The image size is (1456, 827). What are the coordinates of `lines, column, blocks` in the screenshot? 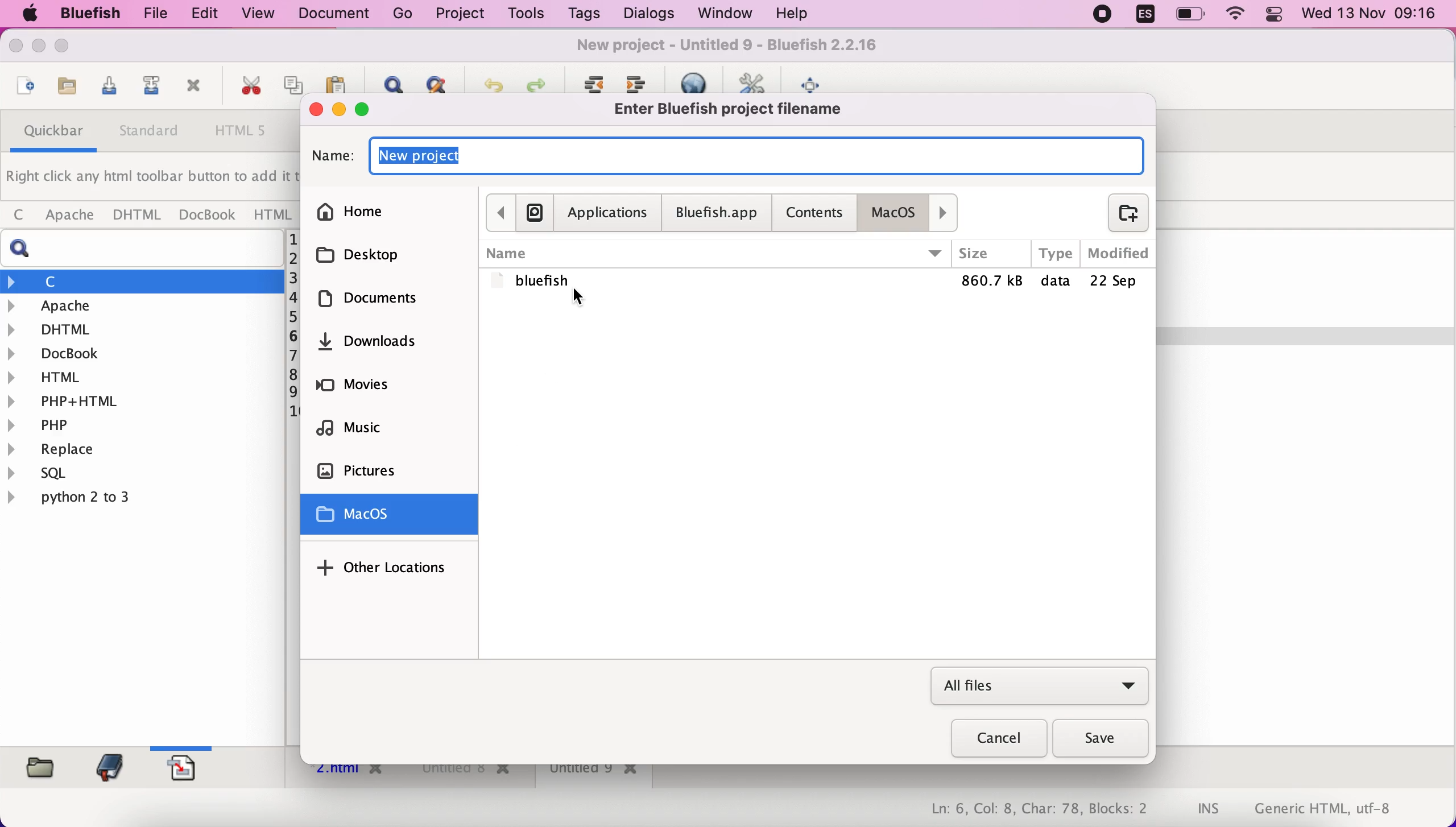 It's located at (1031, 810).